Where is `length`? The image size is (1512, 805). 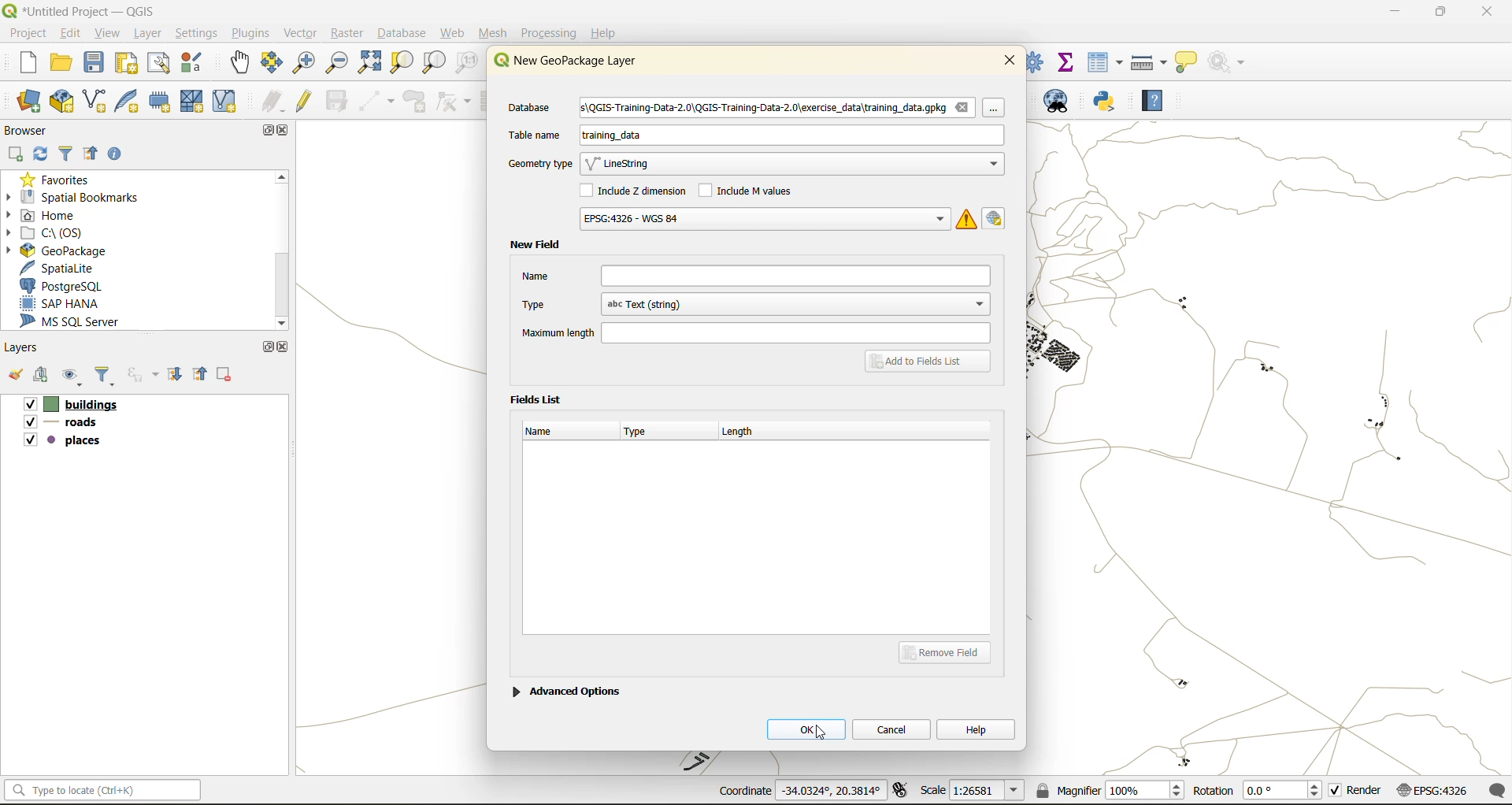
length is located at coordinates (746, 429).